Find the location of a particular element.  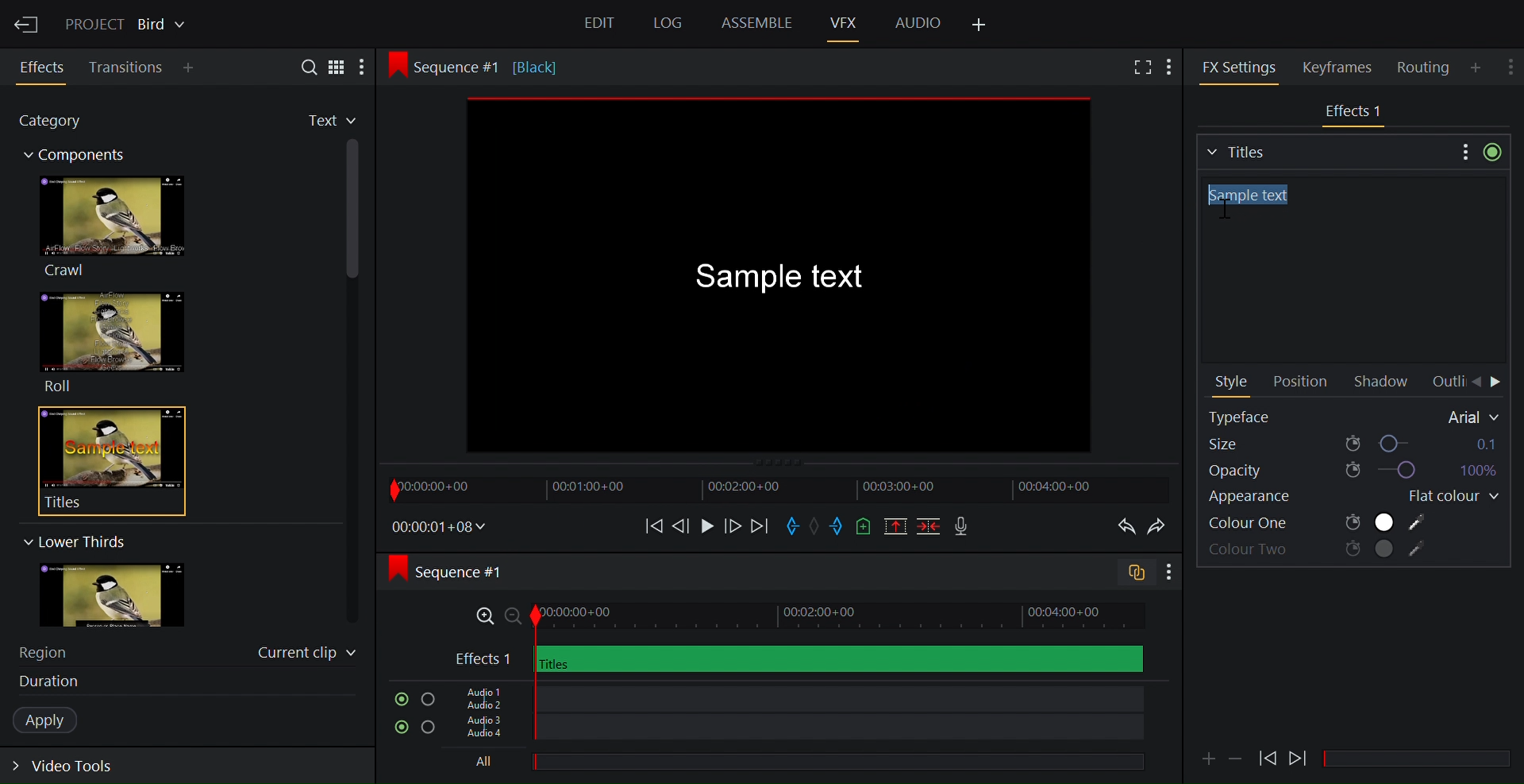

Solo this track is located at coordinates (428, 700).